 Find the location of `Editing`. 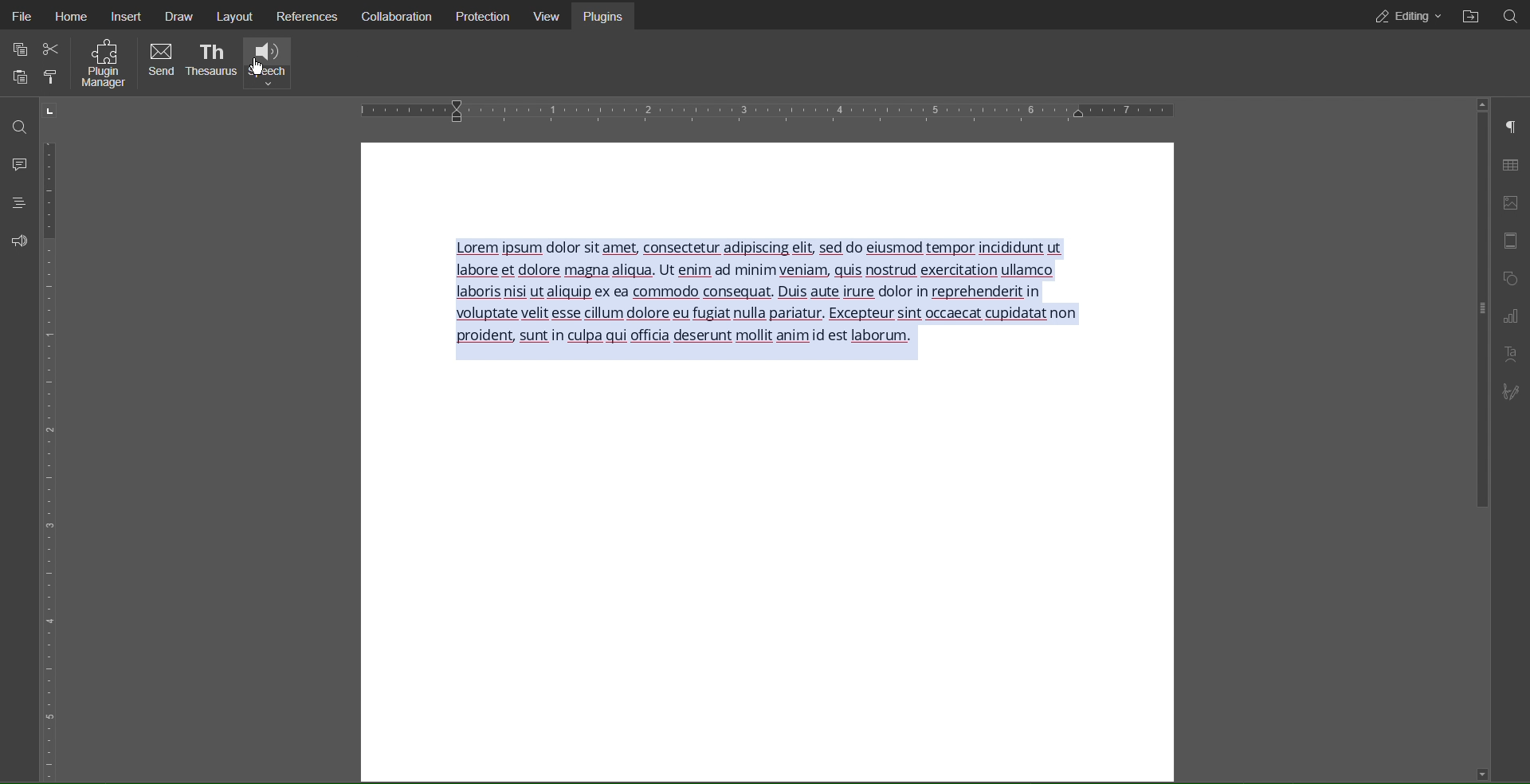

Editing is located at coordinates (1403, 16).